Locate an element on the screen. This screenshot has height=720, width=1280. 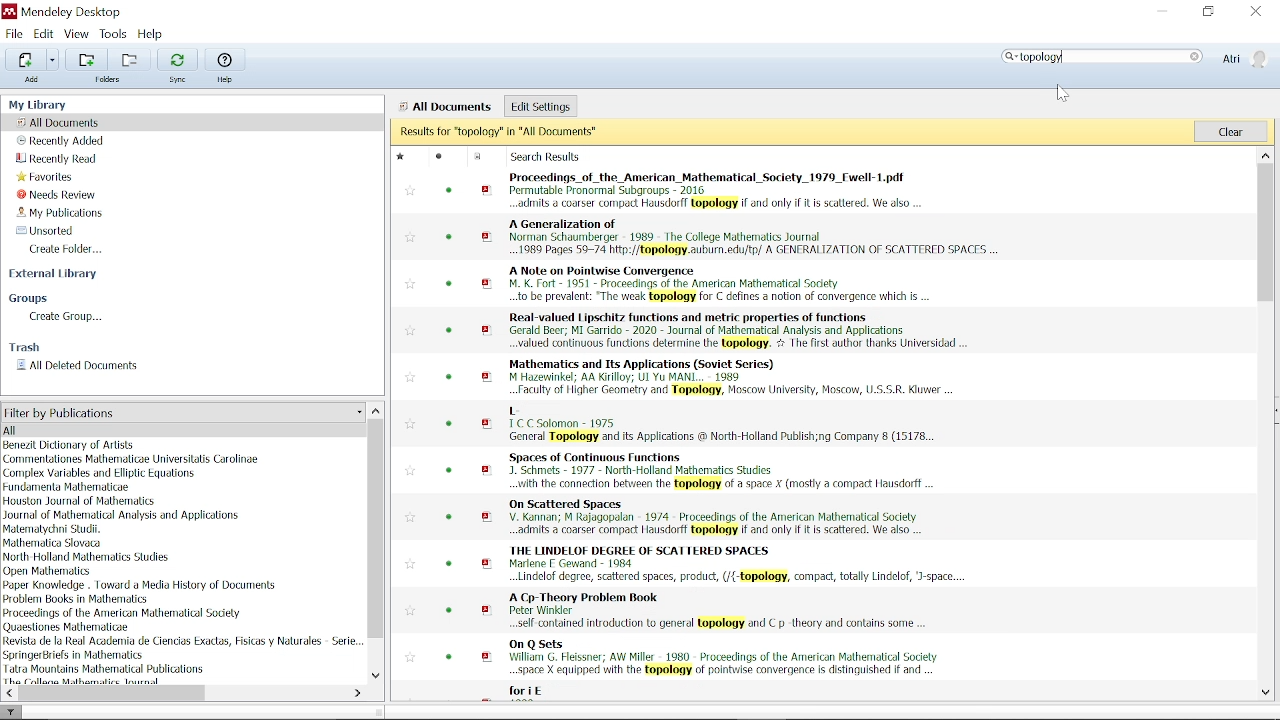
View is located at coordinates (77, 34).